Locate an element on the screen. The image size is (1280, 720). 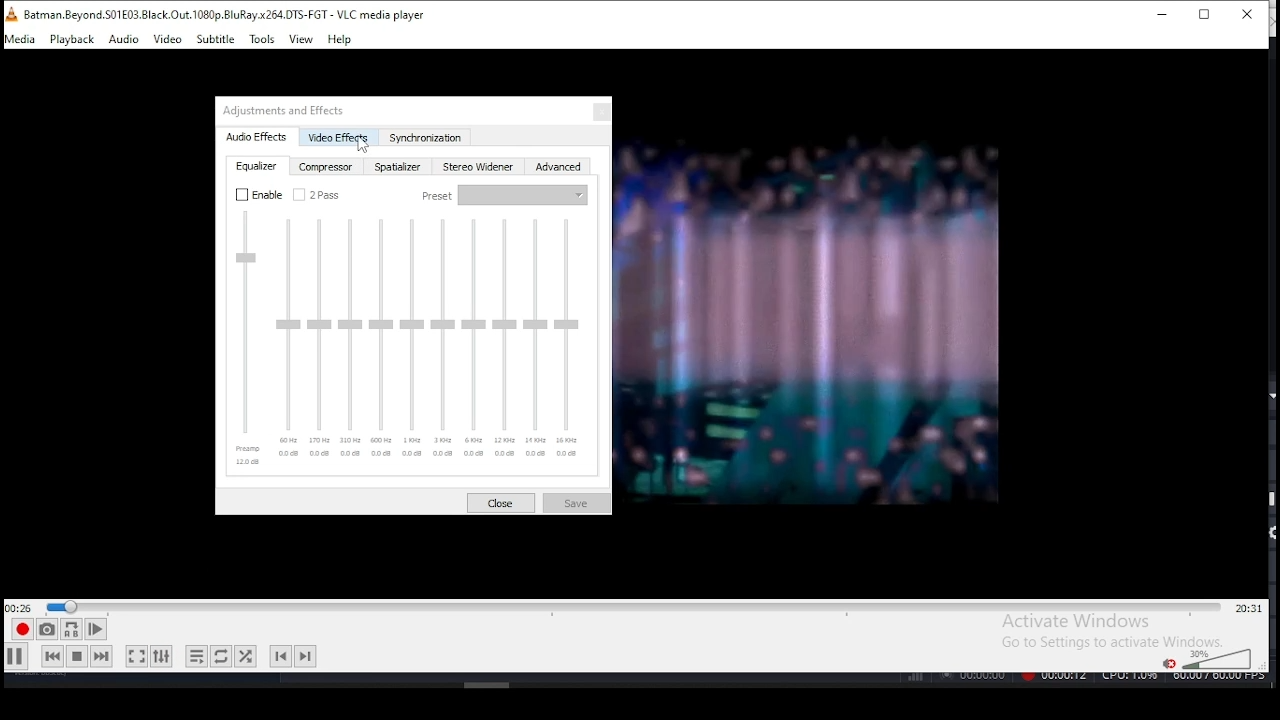
save is located at coordinates (577, 503).